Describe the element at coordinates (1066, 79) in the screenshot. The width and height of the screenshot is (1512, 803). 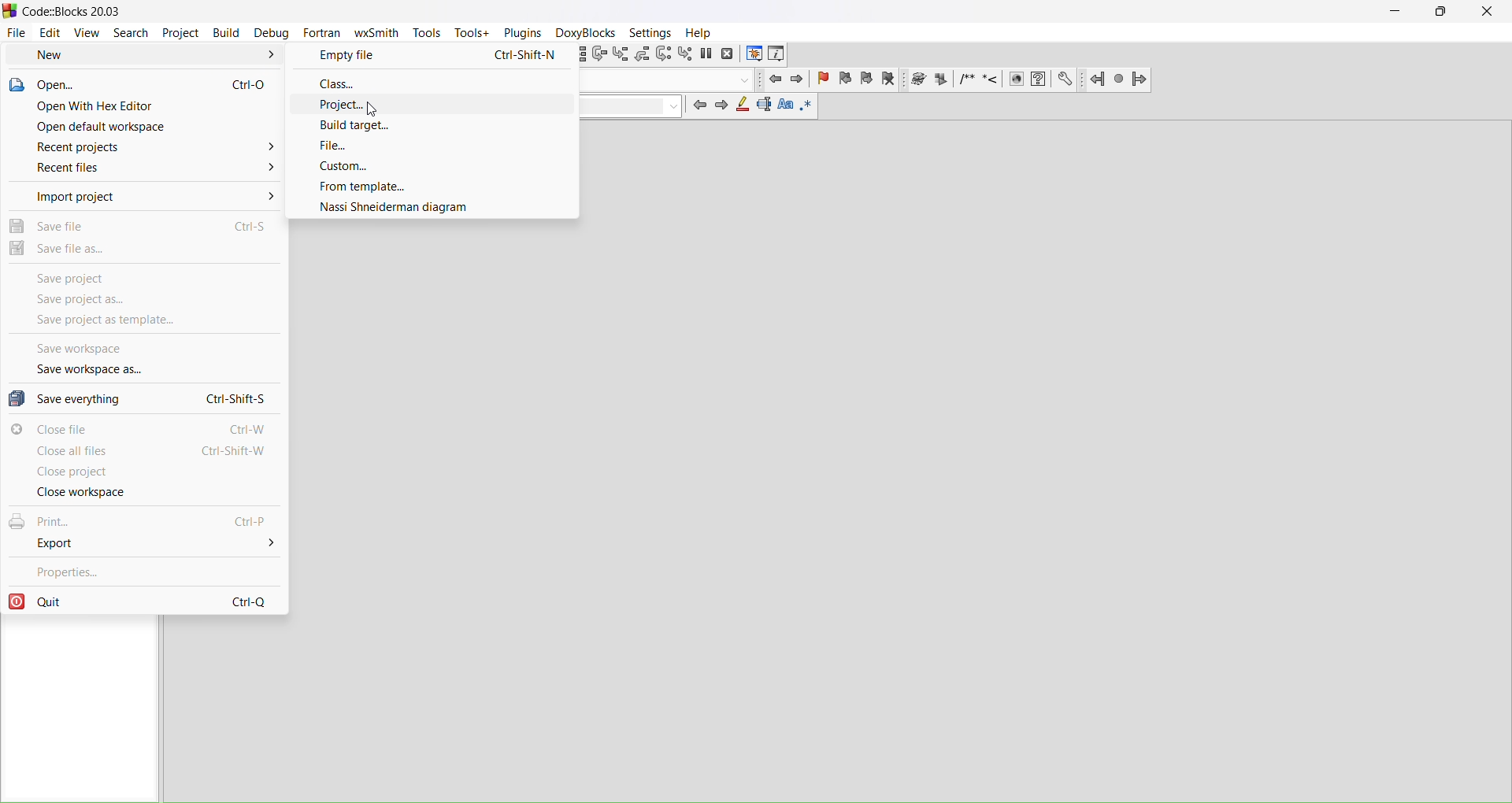
I see `Preferences` at that location.